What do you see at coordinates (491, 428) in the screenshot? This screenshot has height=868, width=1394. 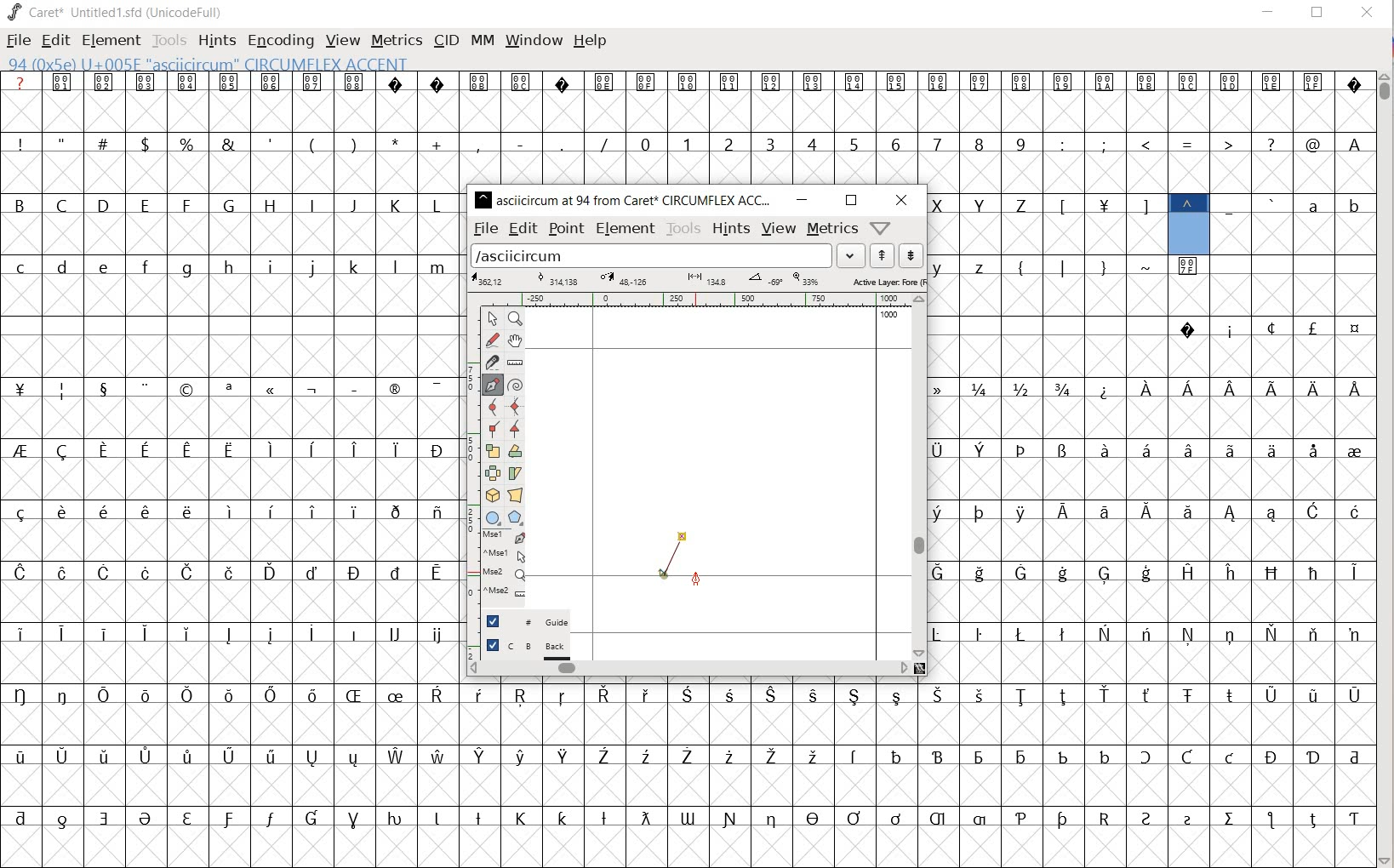 I see `Add a corner point` at bounding box center [491, 428].